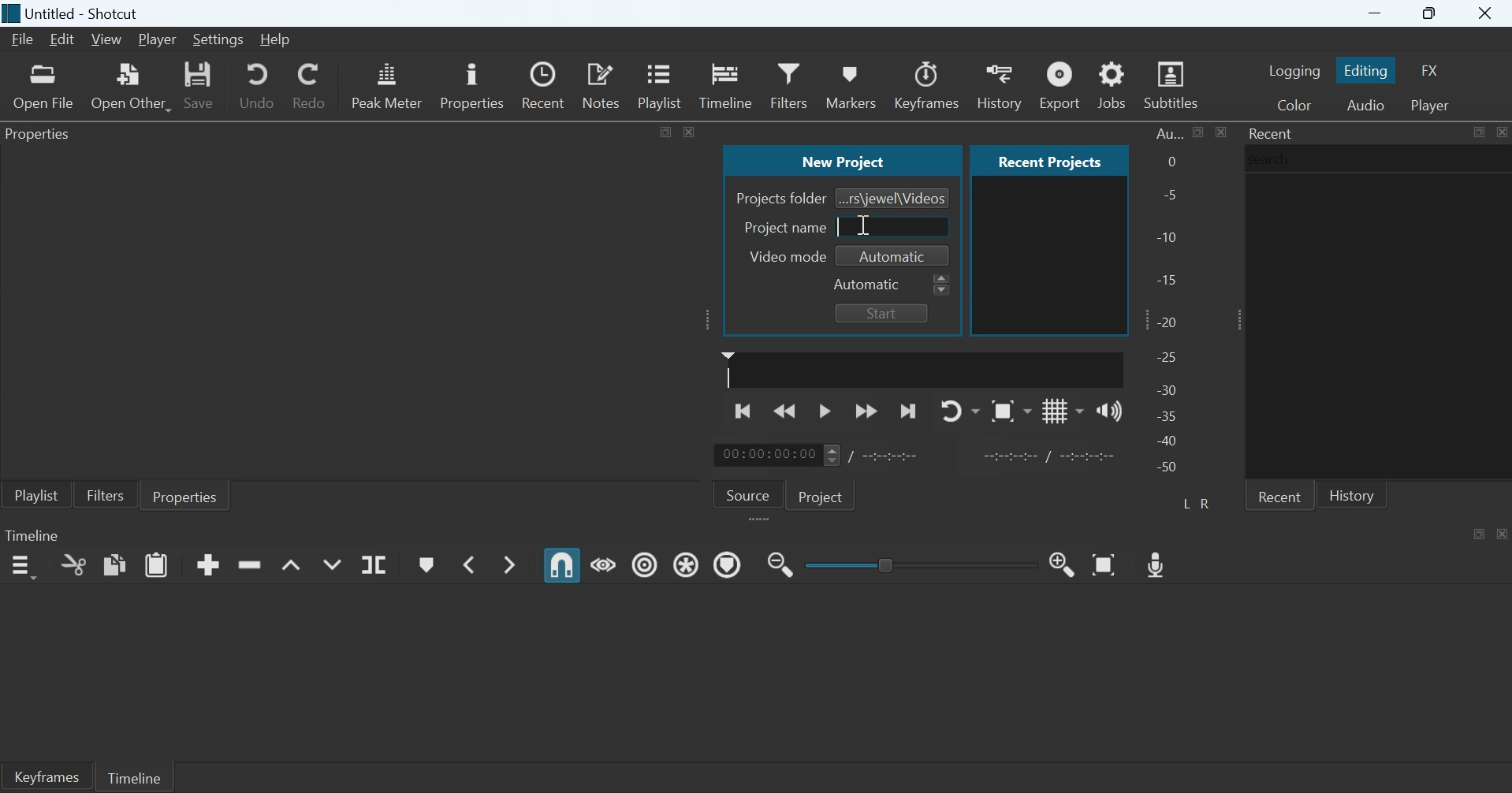  Describe the element at coordinates (1365, 104) in the screenshot. I see `Switch to the Audio layout` at that location.